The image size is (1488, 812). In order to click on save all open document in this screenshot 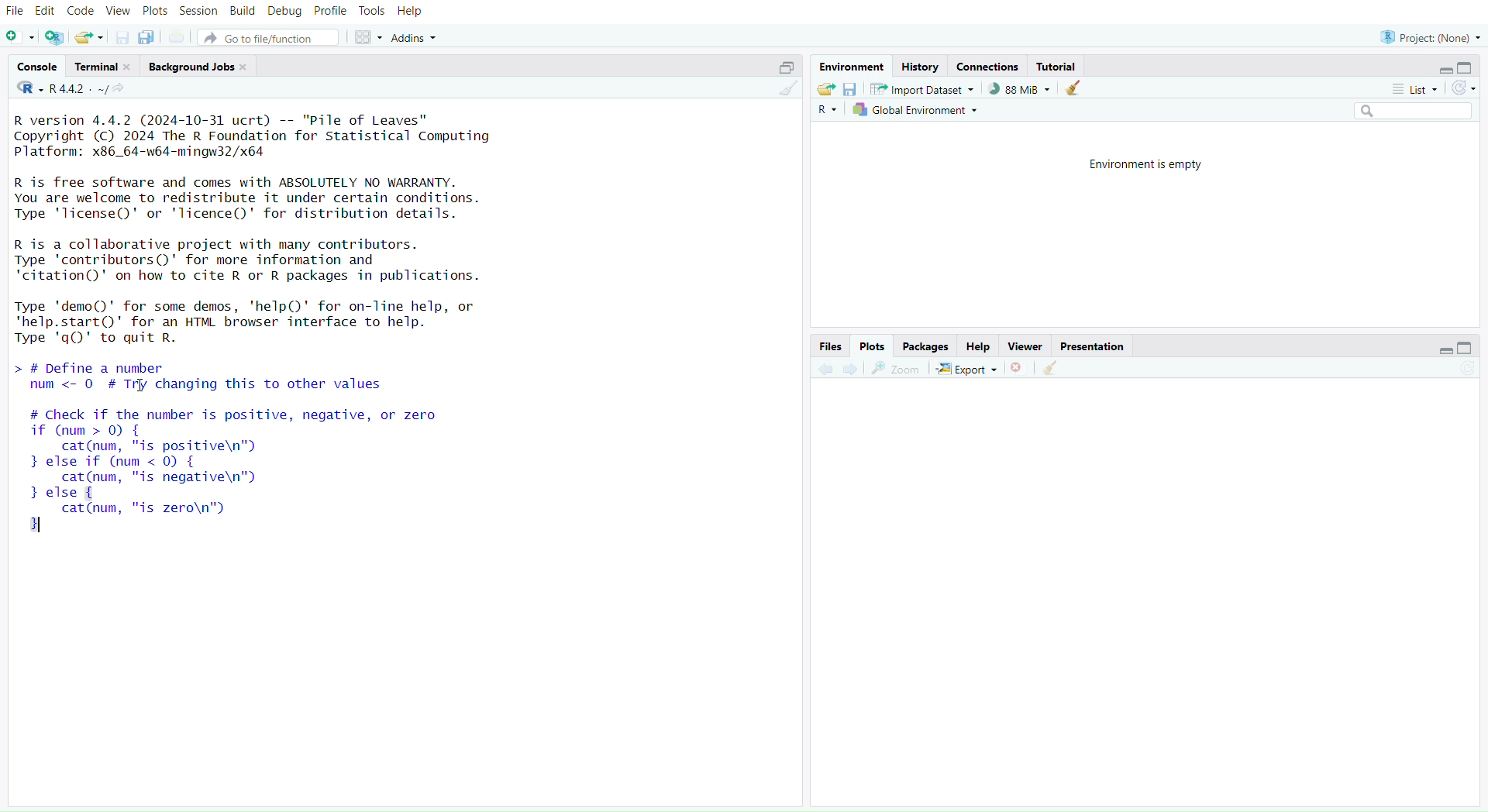, I will do `click(146, 38)`.